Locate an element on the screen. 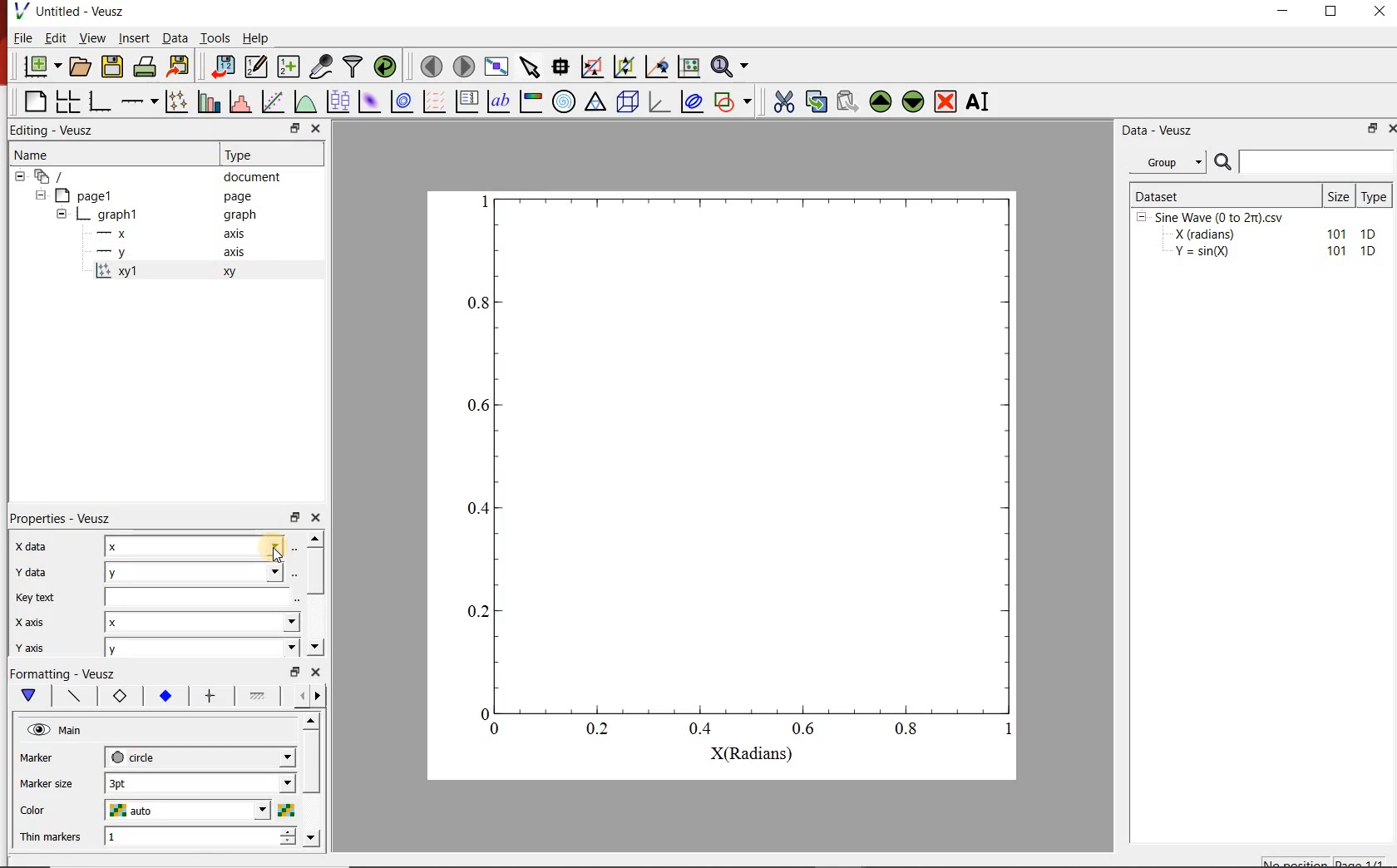 The image size is (1397, 868). histogram is located at coordinates (242, 101).